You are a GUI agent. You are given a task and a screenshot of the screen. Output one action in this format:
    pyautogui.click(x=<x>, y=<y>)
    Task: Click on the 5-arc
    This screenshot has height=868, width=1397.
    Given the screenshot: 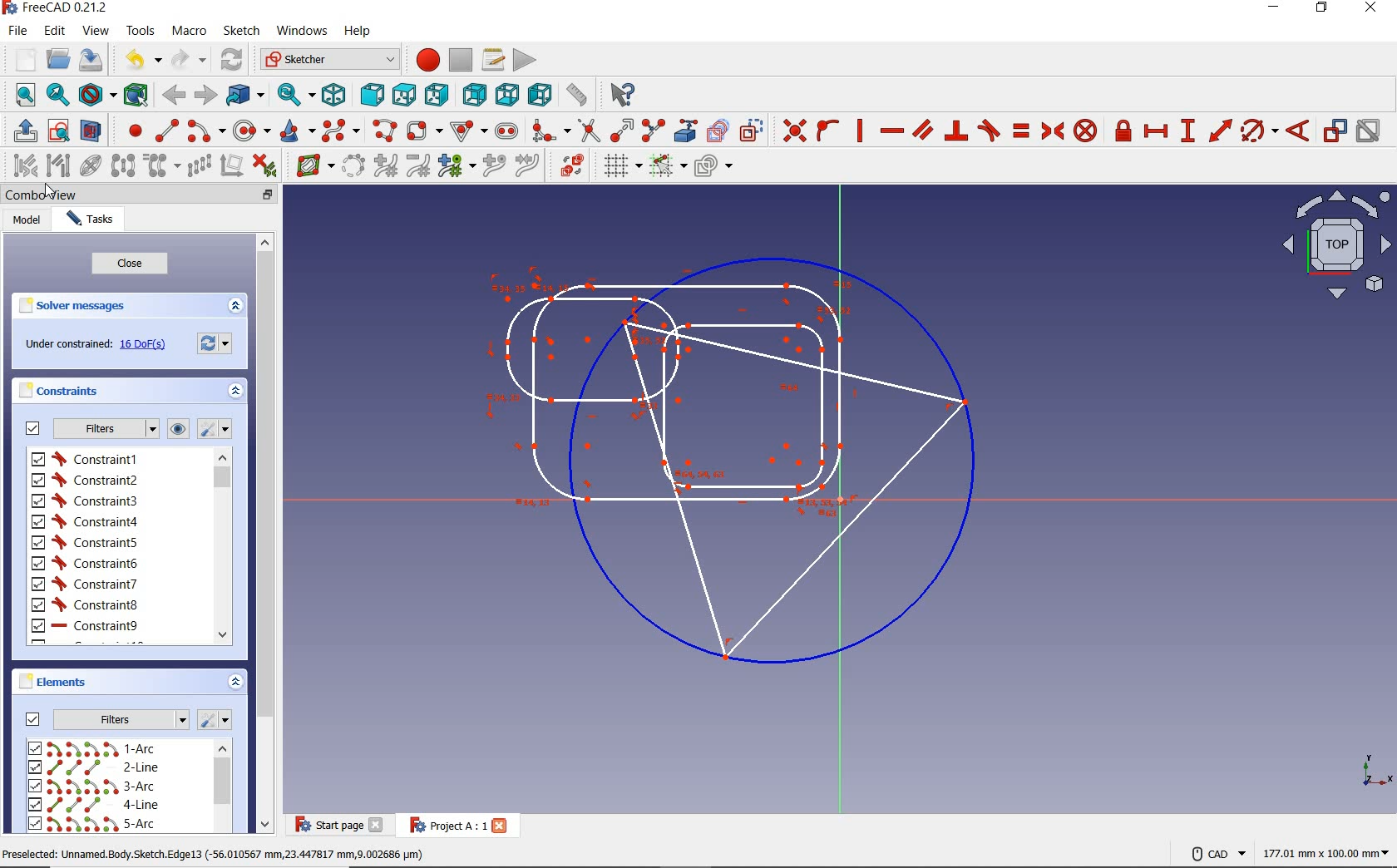 What is the action you would take?
    pyautogui.click(x=91, y=823)
    